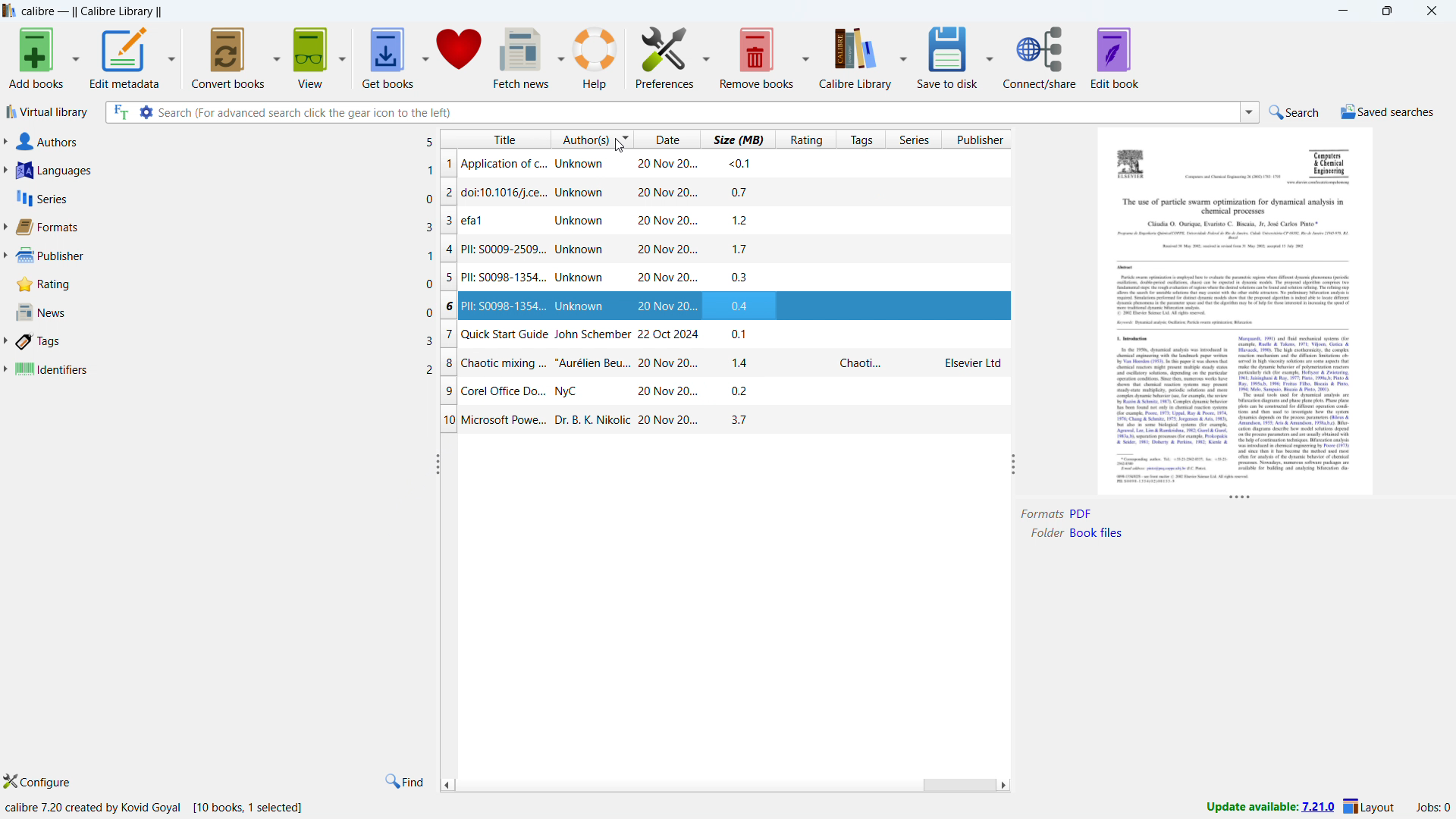  Describe the element at coordinates (957, 784) in the screenshot. I see `scrollbar` at that location.